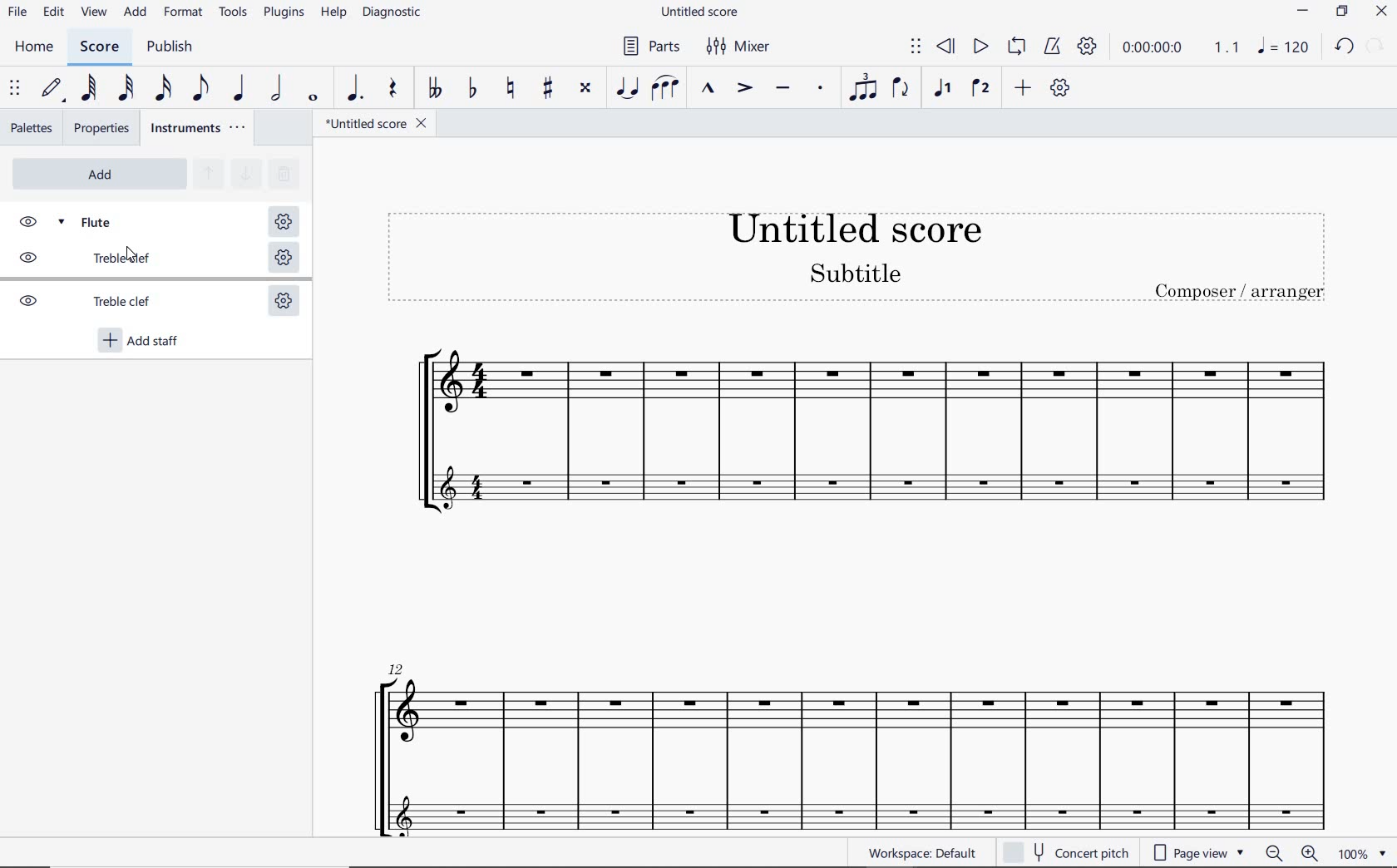 This screenshot has width=1397, height=868. Describe the element at coordinates (858, 89) in the screenshot. I see `TUPLET` at that location.